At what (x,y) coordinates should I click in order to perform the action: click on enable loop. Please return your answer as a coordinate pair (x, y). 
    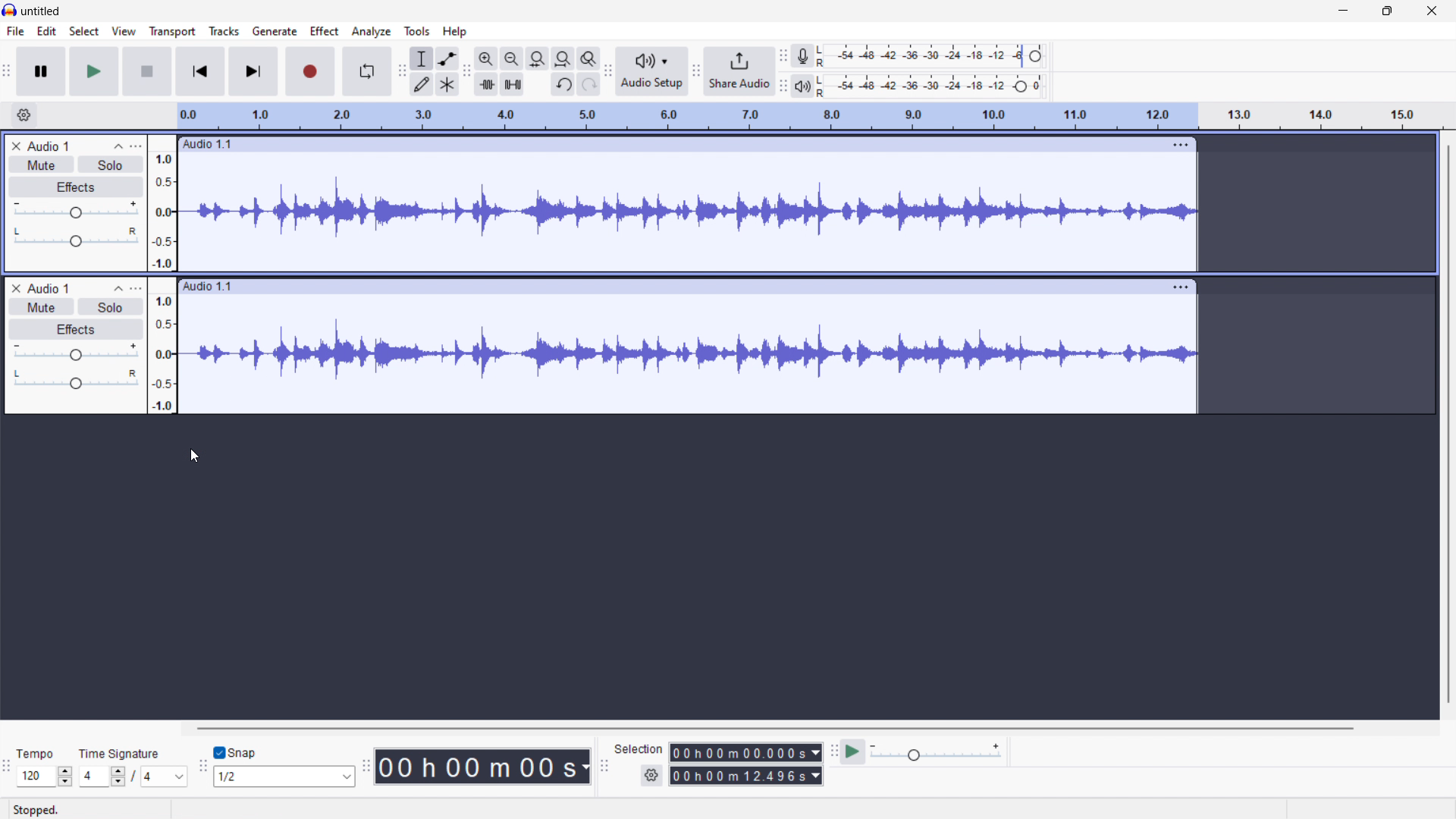
    Looking at the image, I should click on (367, 72).